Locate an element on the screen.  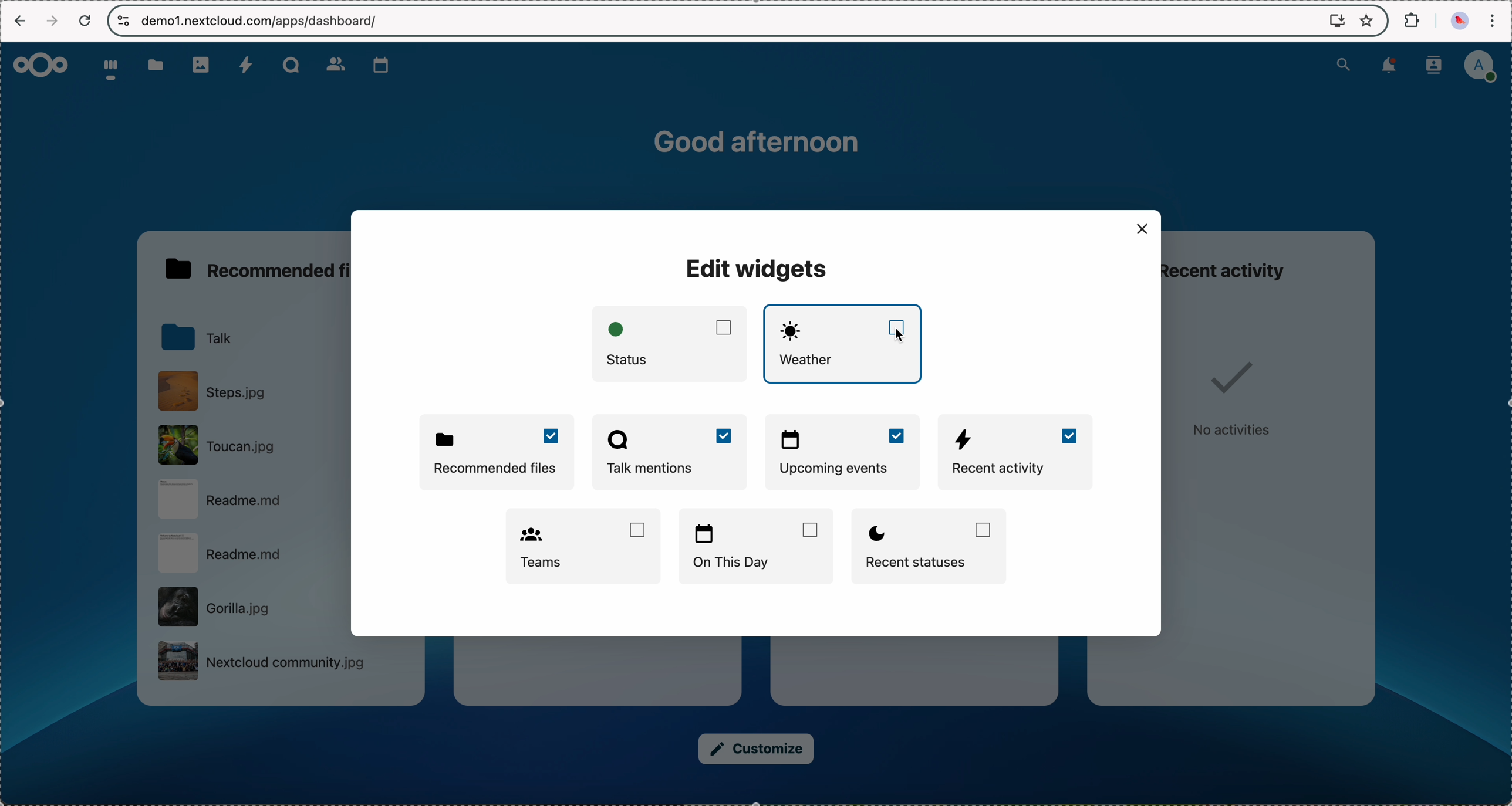
refresh the page is located at coordinates (90, 22).